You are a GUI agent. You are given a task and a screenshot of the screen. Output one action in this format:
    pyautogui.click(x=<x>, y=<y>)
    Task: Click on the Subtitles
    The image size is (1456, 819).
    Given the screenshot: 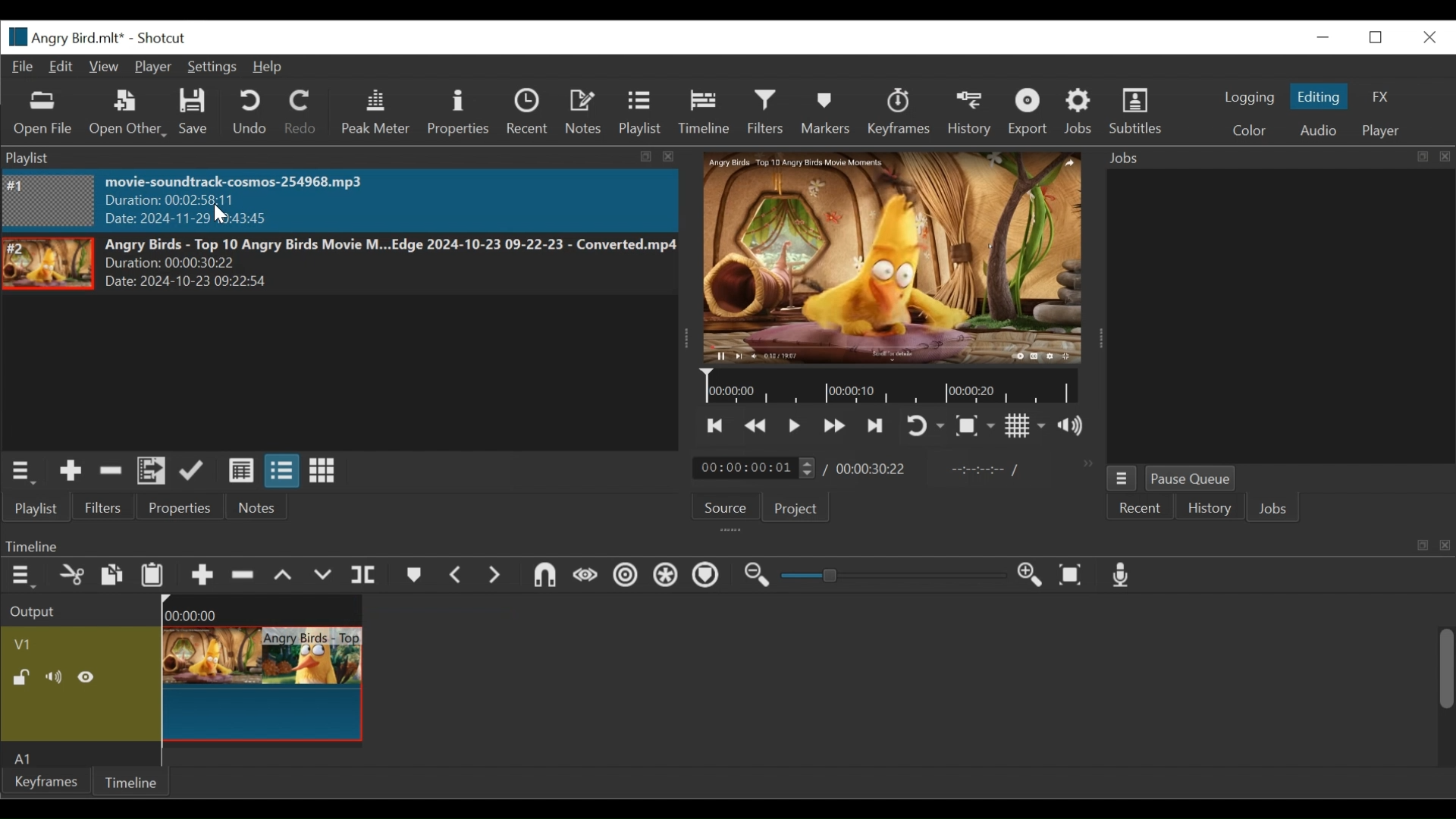 What is the action you would take?
    pyautogui.click(x=1141, y=113)
    